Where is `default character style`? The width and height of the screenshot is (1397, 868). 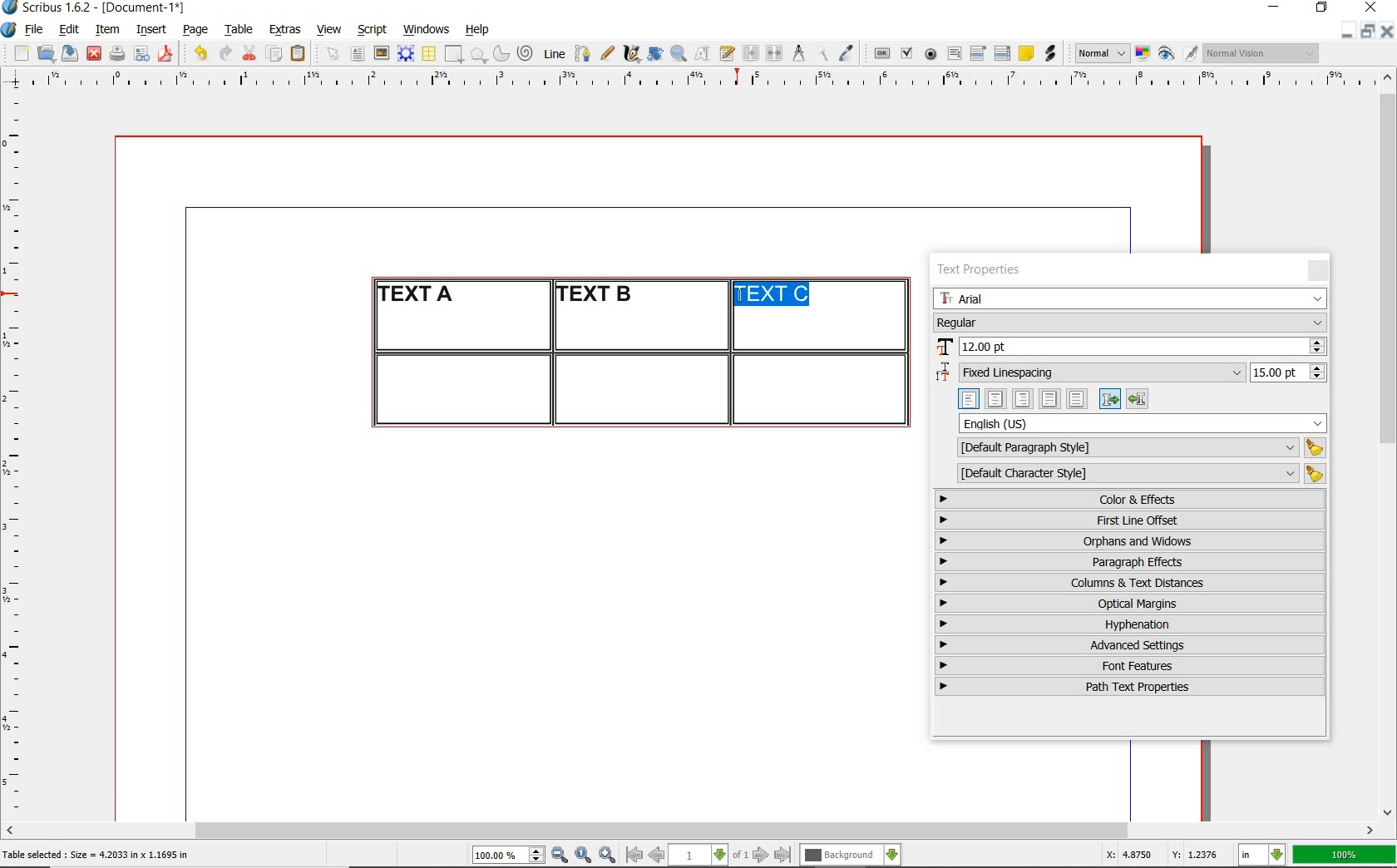
default character style is located at coordinates (1136, 474).